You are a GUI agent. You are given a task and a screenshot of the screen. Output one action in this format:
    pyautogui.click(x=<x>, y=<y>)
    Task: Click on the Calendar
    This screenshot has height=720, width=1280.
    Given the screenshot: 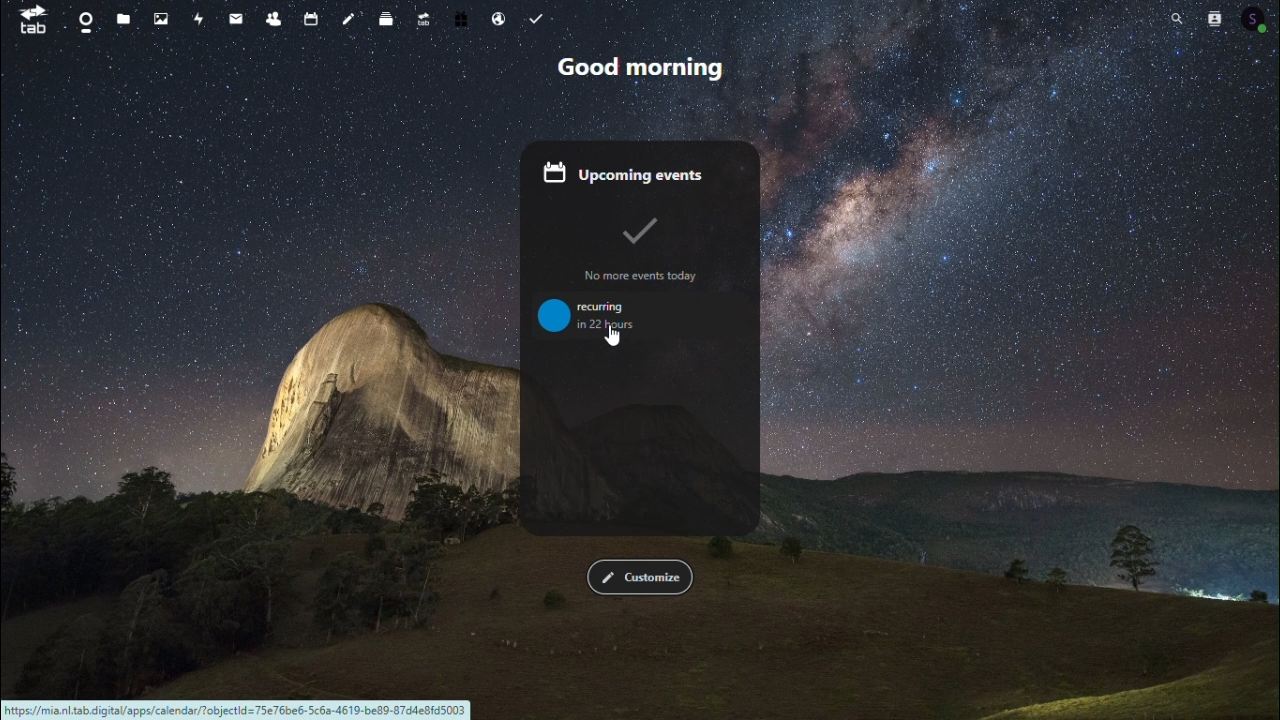 What is the action you would take?
    pyautogui.click(x=555, y=173)
    